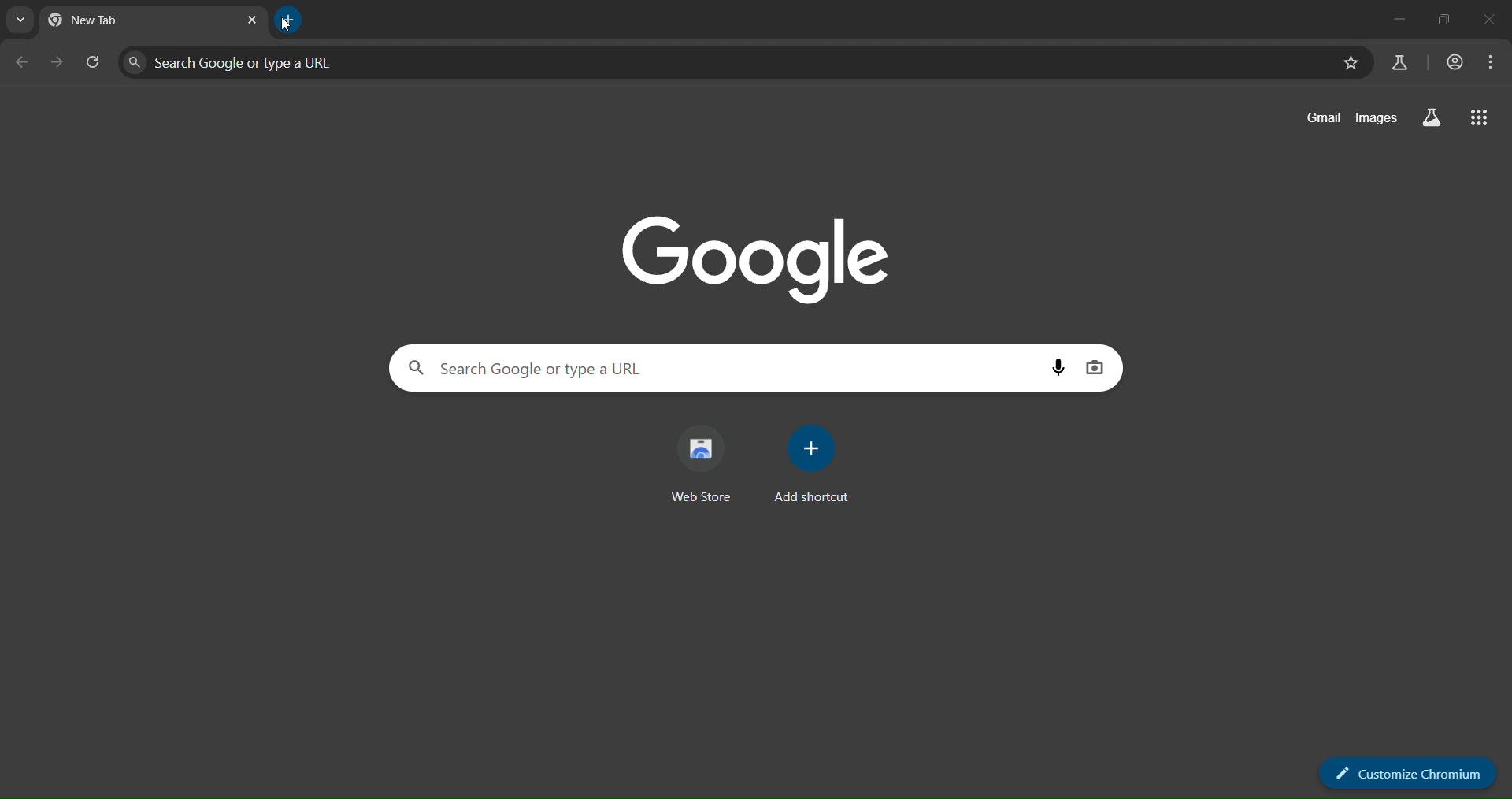 Image resolution: width=1512 pixels, height=799 pixels. Describe the element at coordinates (1098, 367) in the screenshot. I see `image search` at that location.